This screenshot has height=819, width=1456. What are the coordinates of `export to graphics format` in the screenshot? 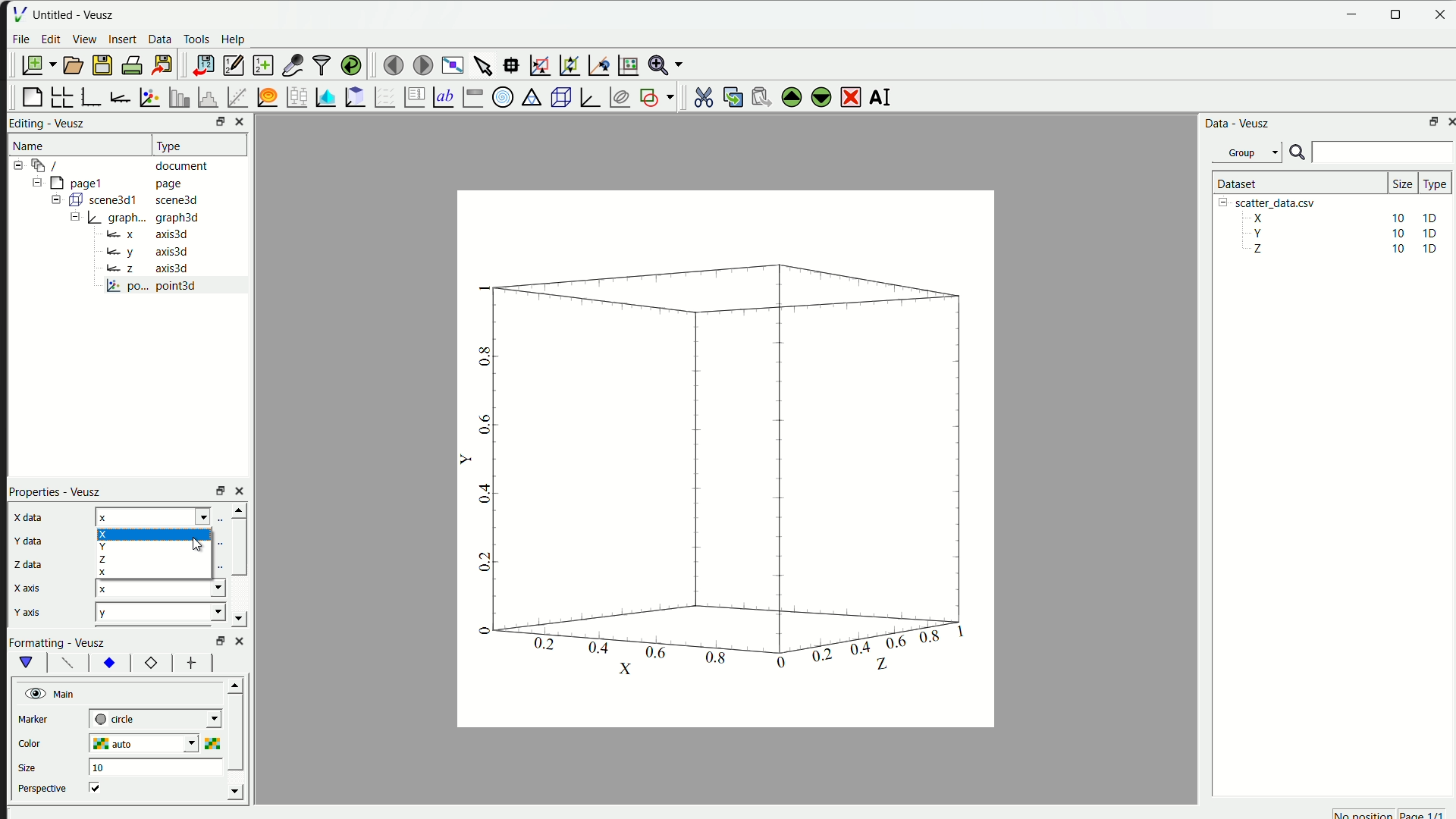 It's located at (161, 63).